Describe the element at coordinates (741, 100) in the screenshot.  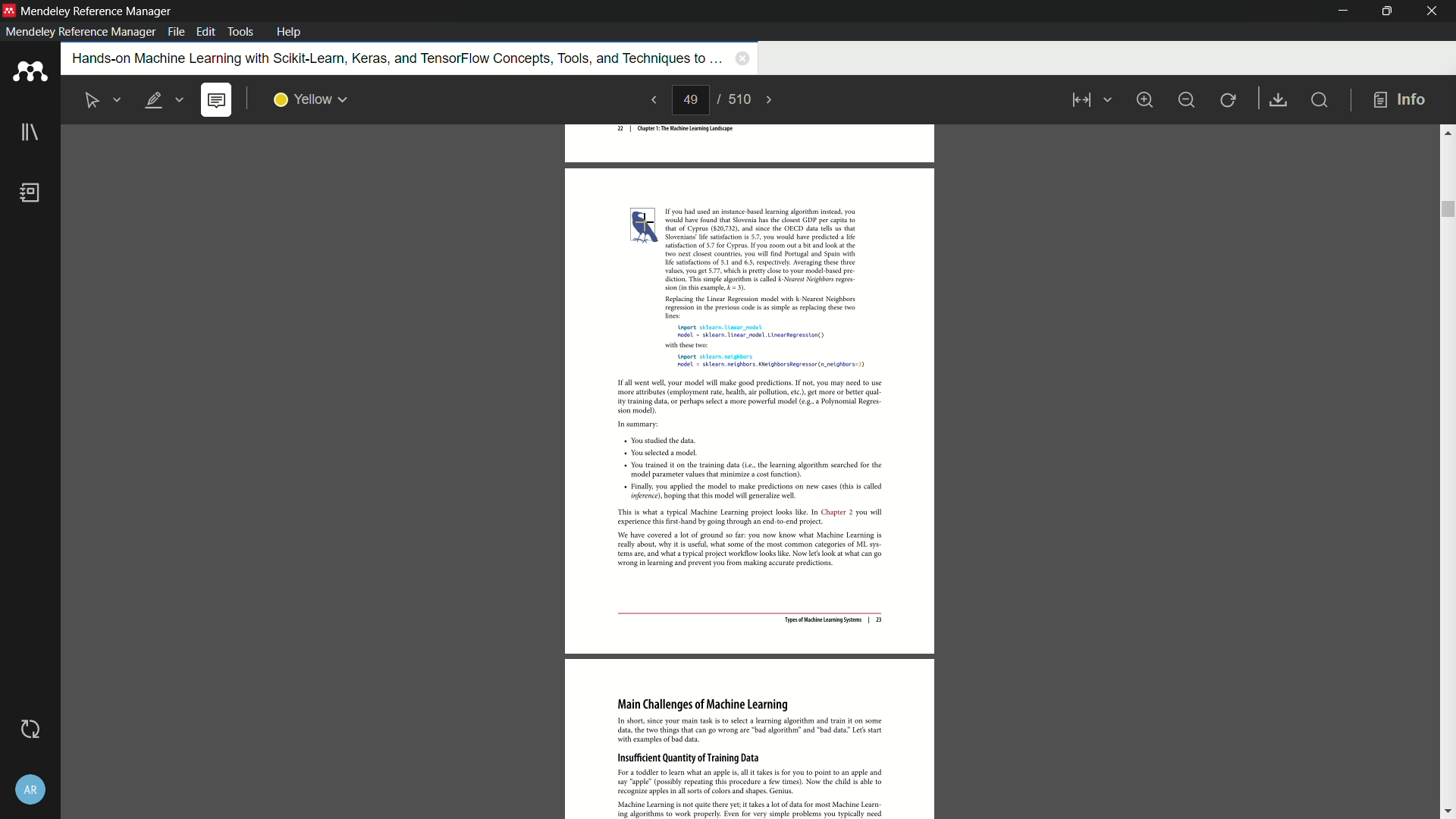
I see `total page` at that location.